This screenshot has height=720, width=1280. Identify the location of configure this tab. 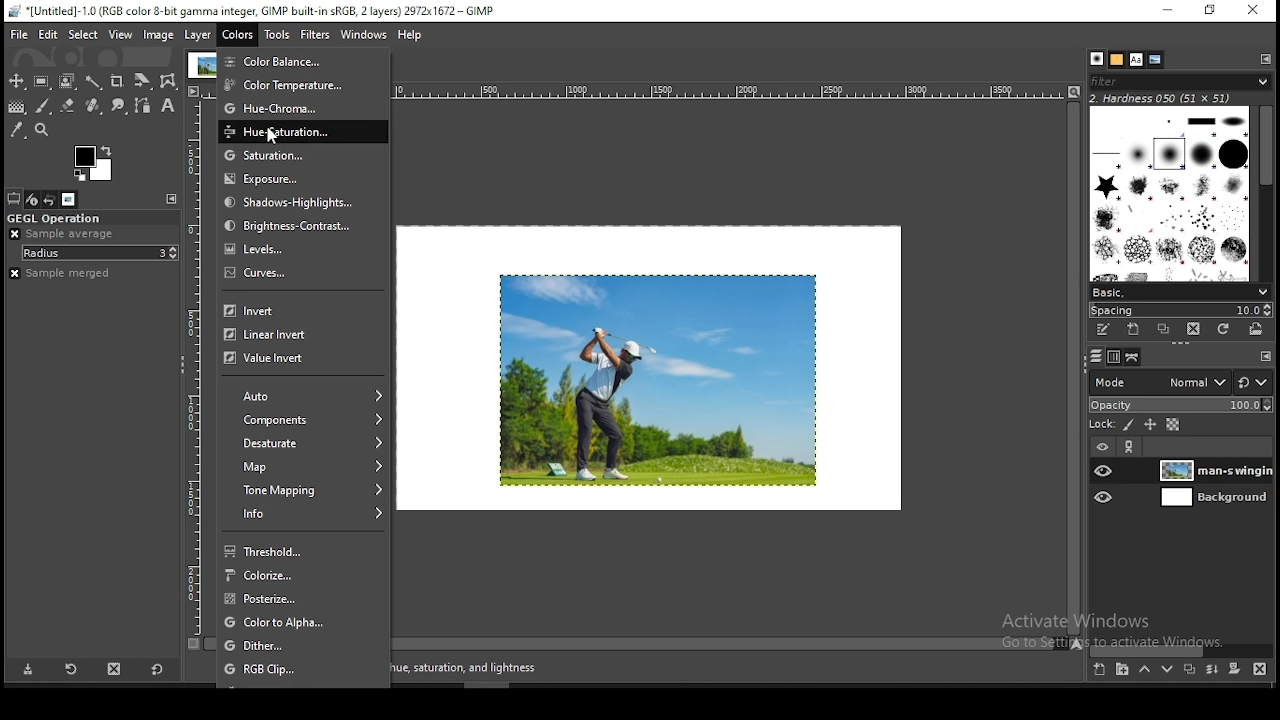
(1264, 60).